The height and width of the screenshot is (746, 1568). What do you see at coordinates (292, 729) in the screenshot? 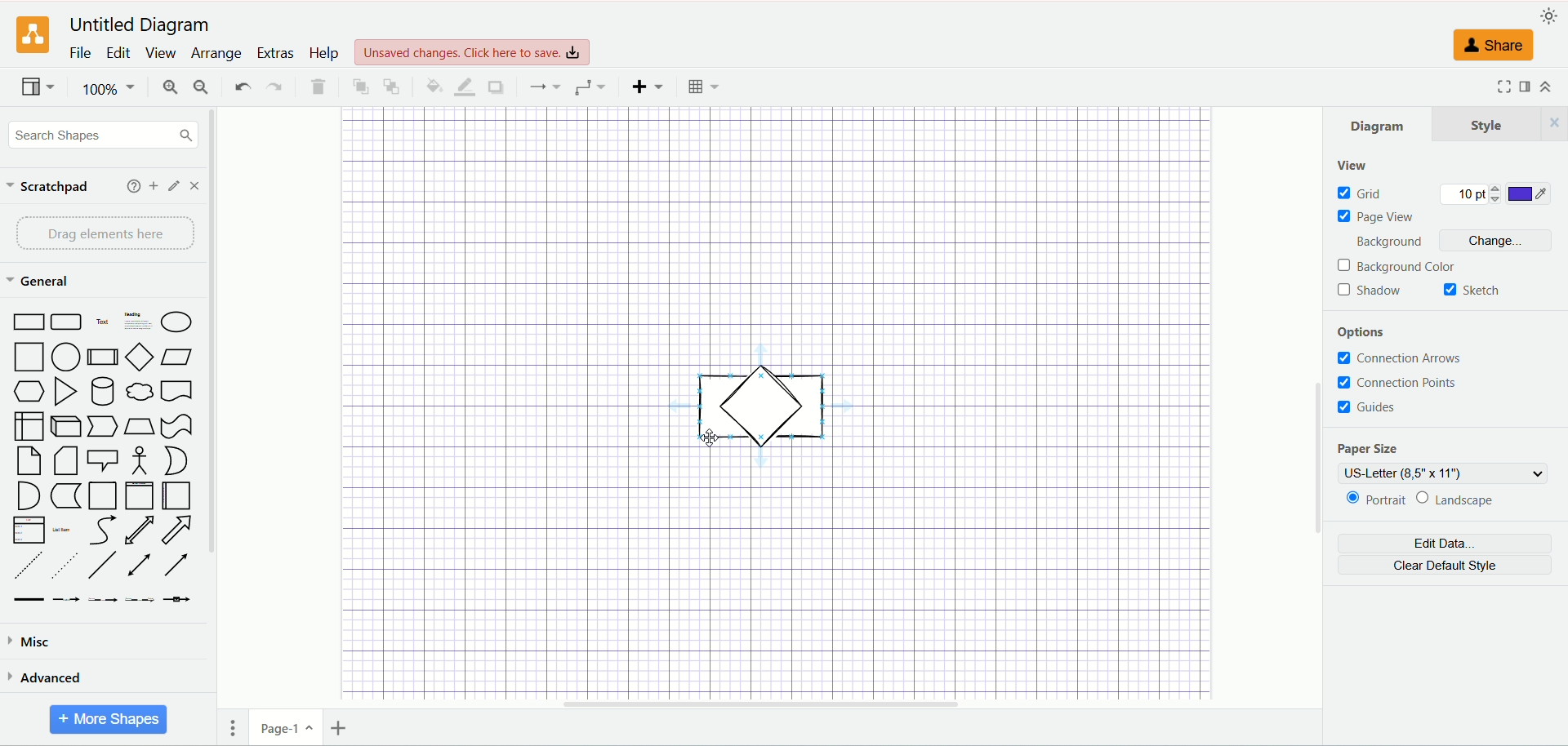
I see `page1` at bounding box center [292, 729].